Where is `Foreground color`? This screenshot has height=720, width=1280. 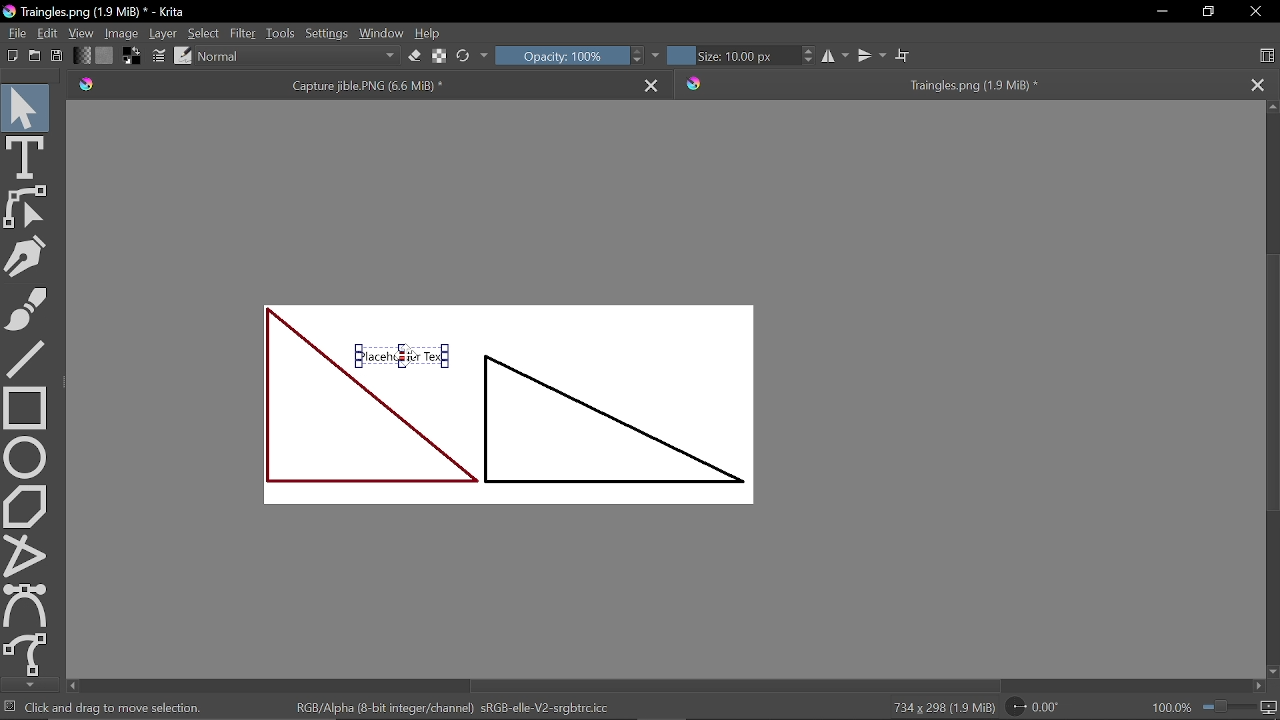 Foreground color is located at coordinates (132, 56).